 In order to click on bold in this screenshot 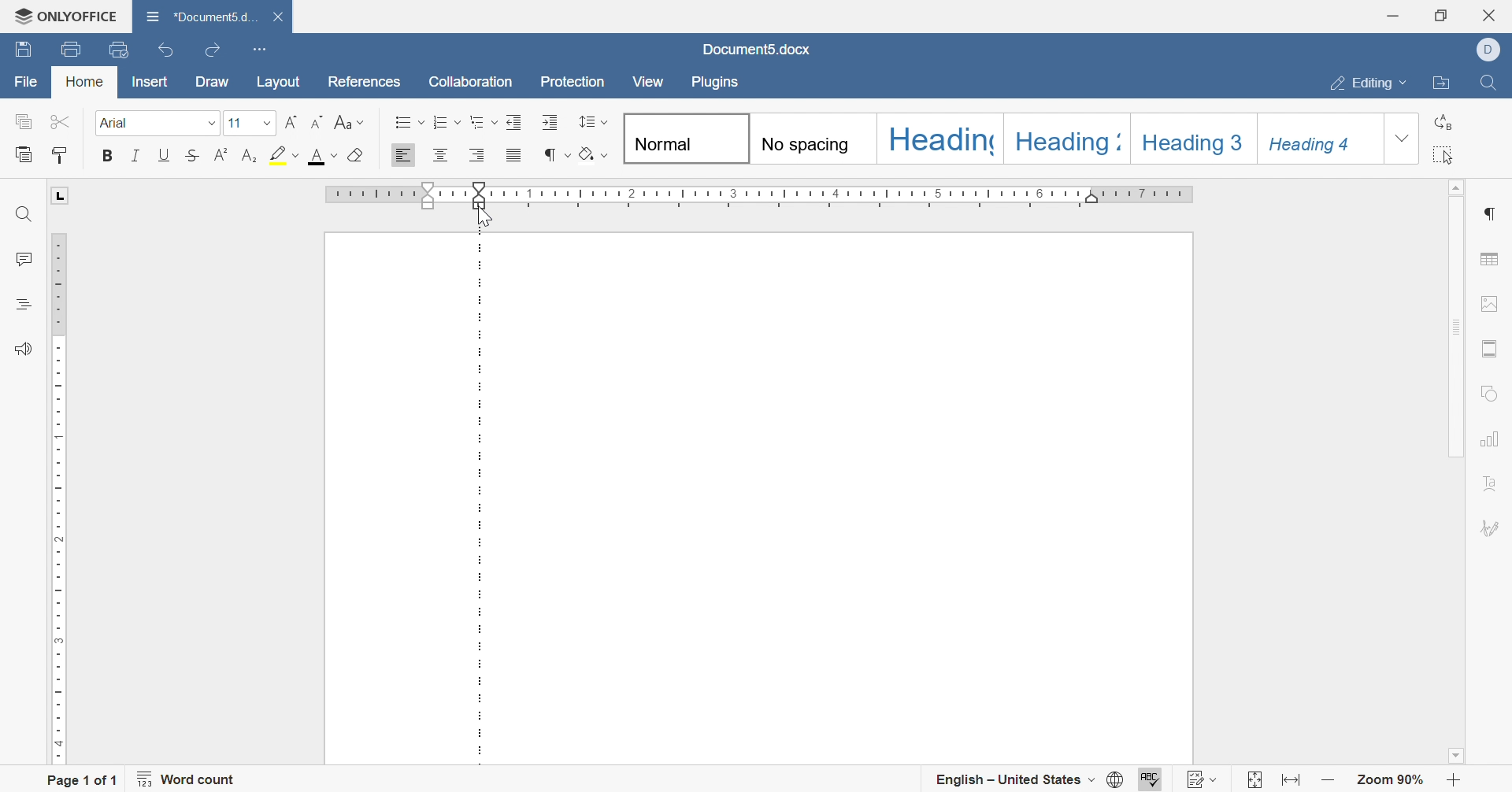, I will do `click(105, 154)`.